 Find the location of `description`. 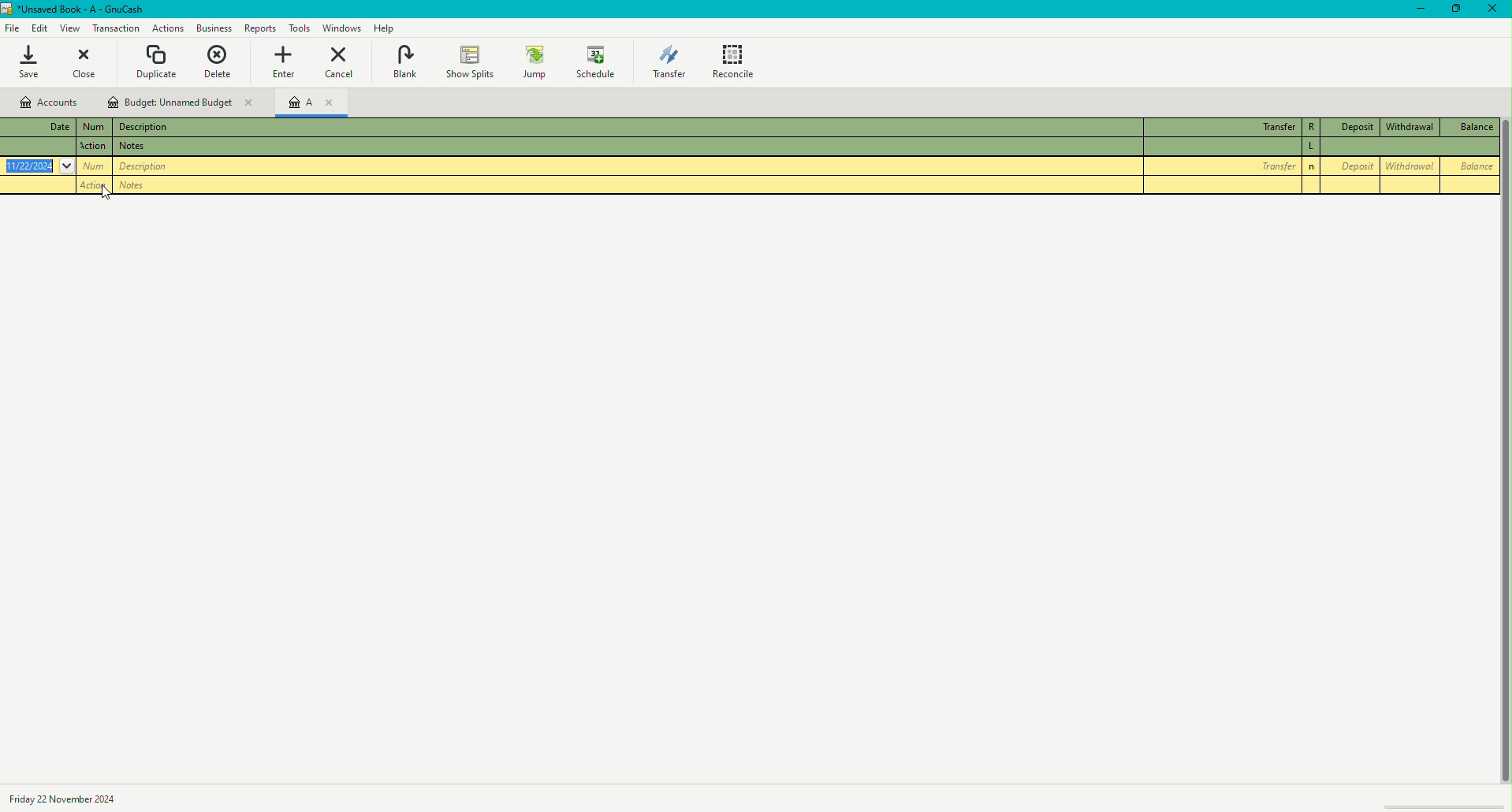

description is located at coordinates (163, 166).